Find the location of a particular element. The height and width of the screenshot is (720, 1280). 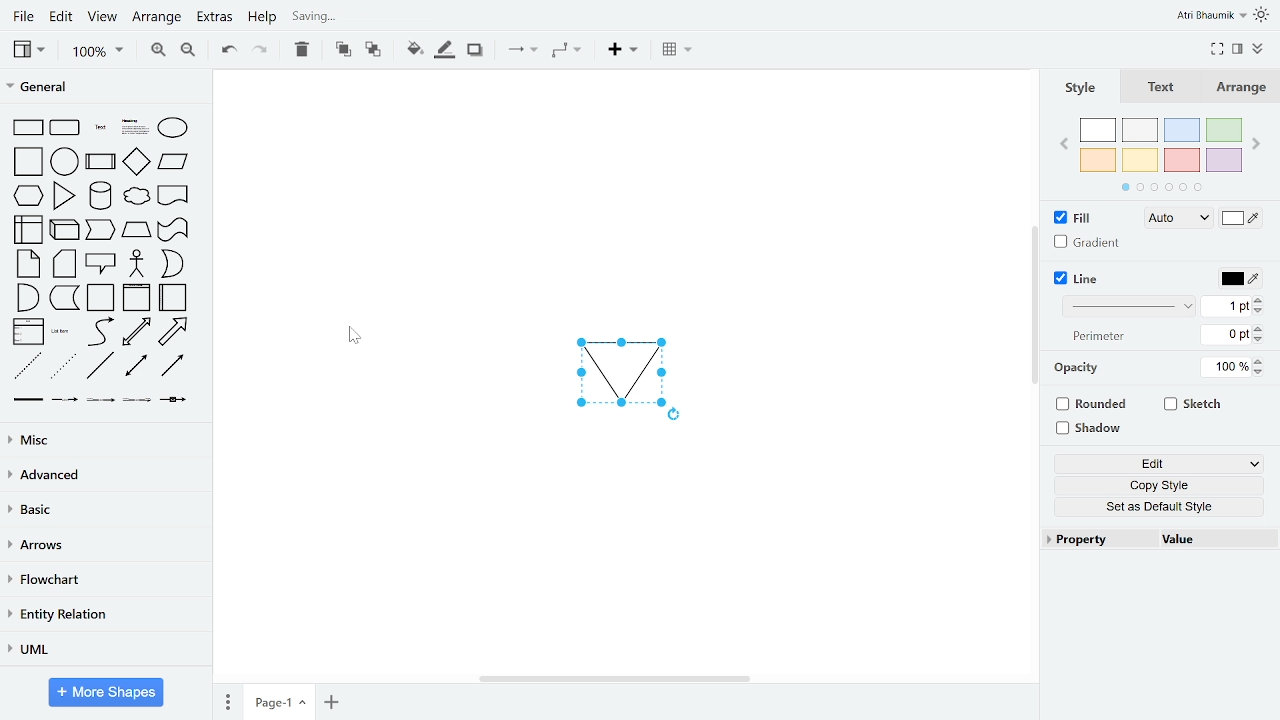

pages is located at coordinates (227, 701).